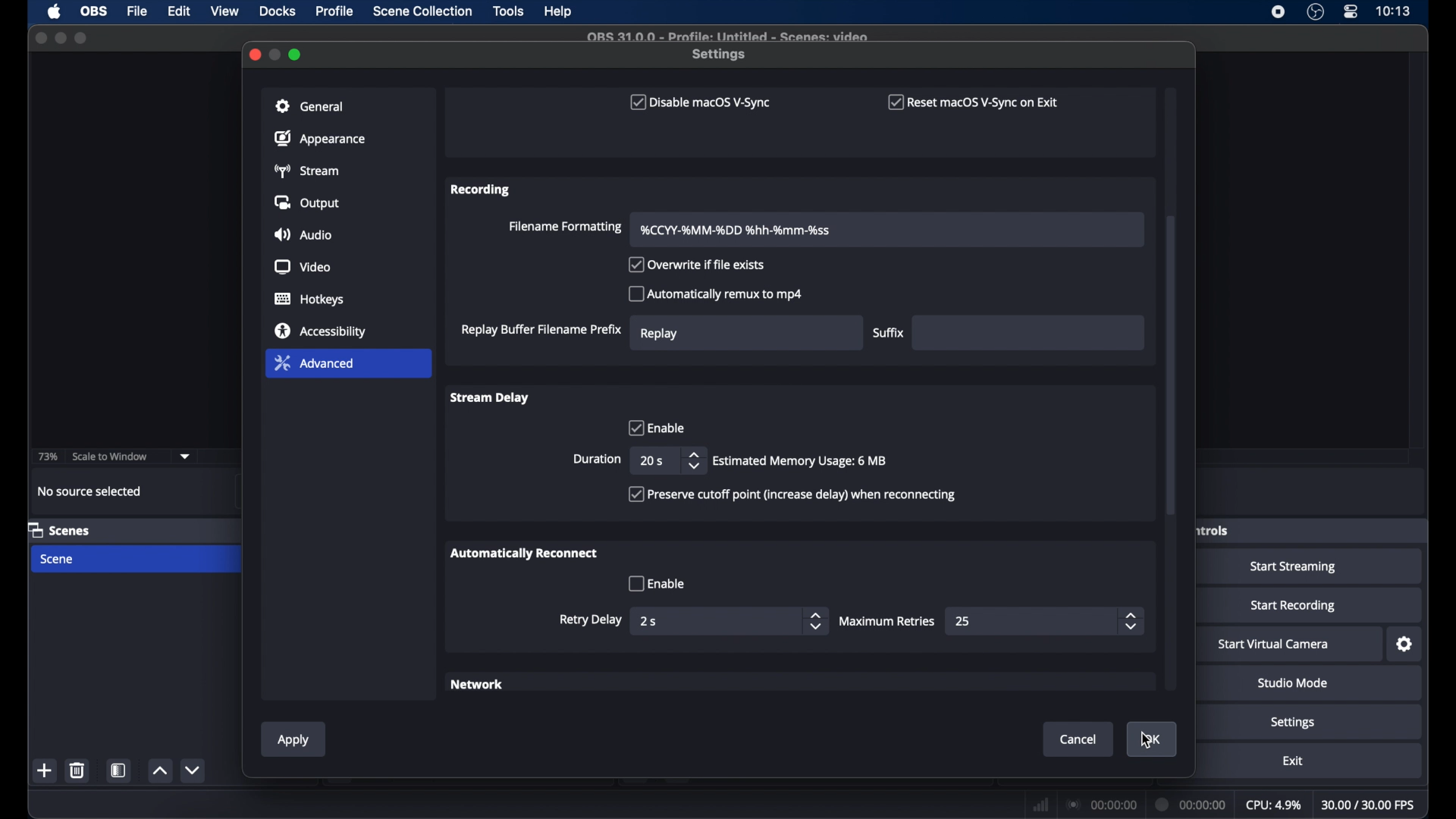 This screenshot has height=819, width=1456. I want to click on minimize, so click(276, 54).